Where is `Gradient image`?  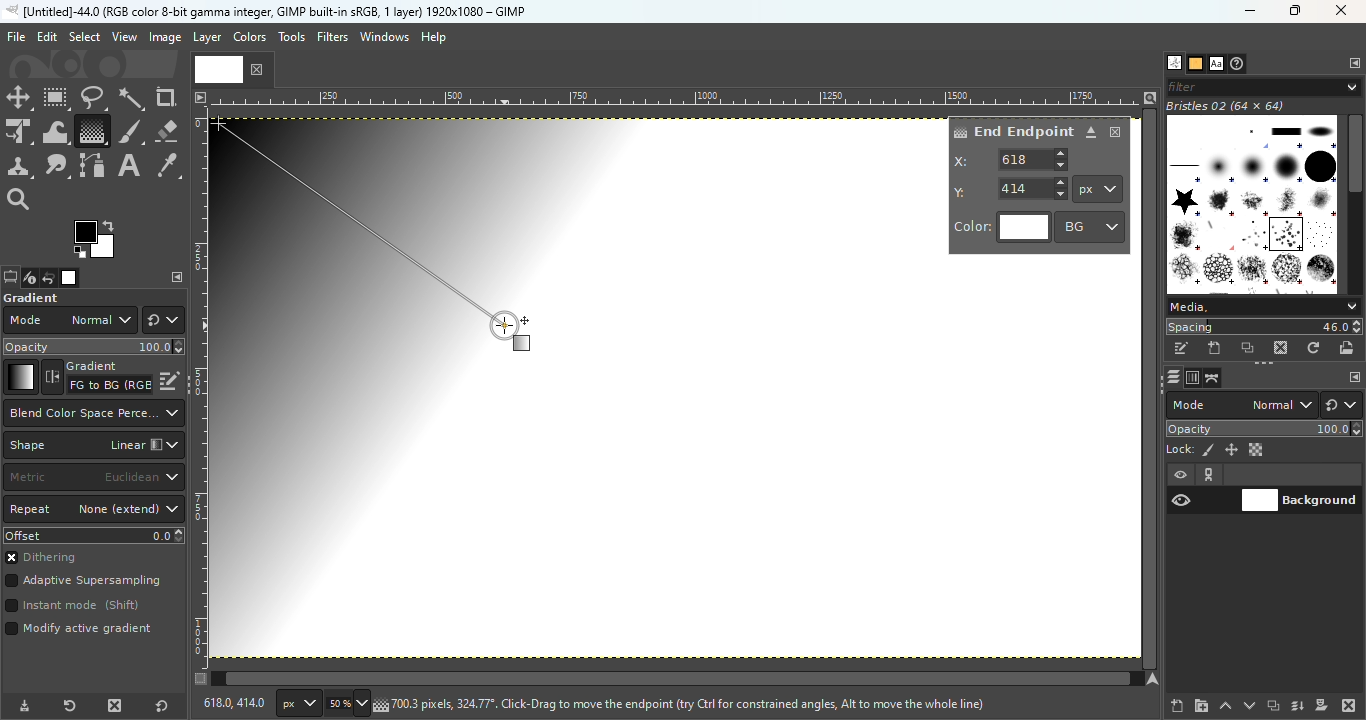 Gradient image is located at coordinates (428, 383).